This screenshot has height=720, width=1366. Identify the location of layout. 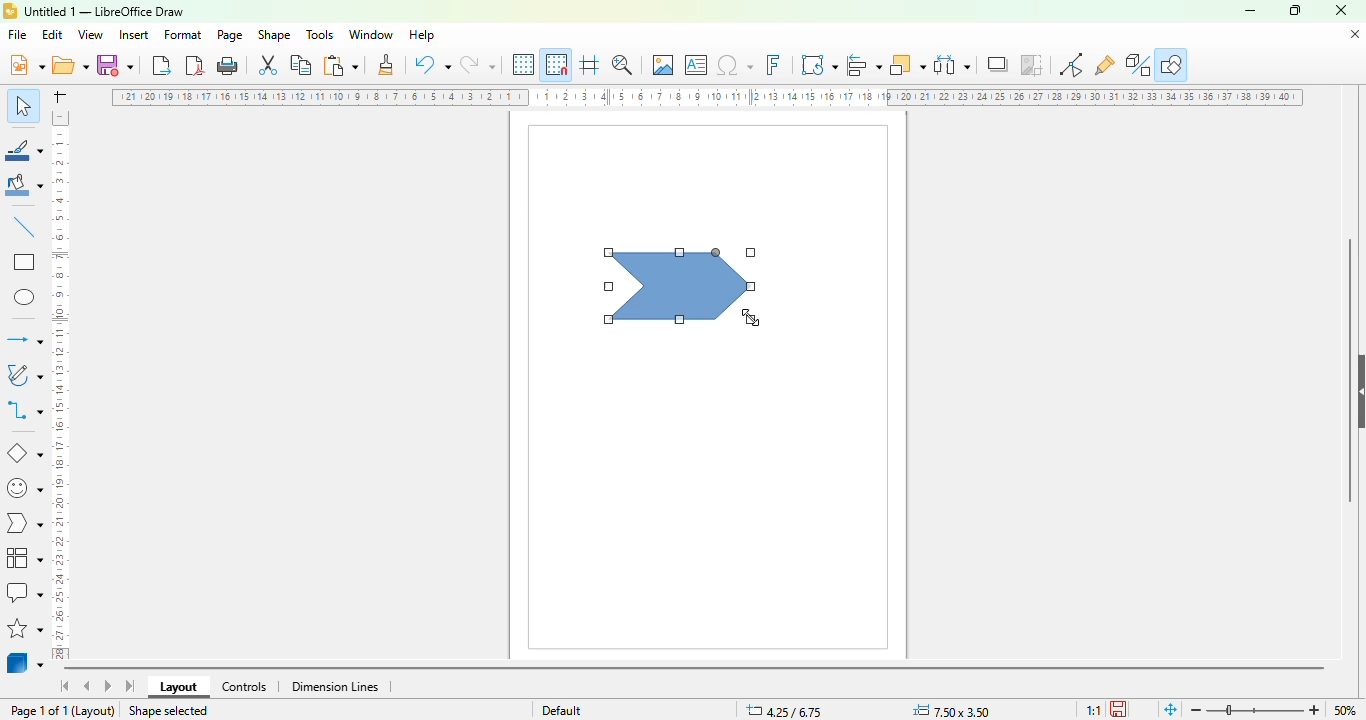
(178, 687).